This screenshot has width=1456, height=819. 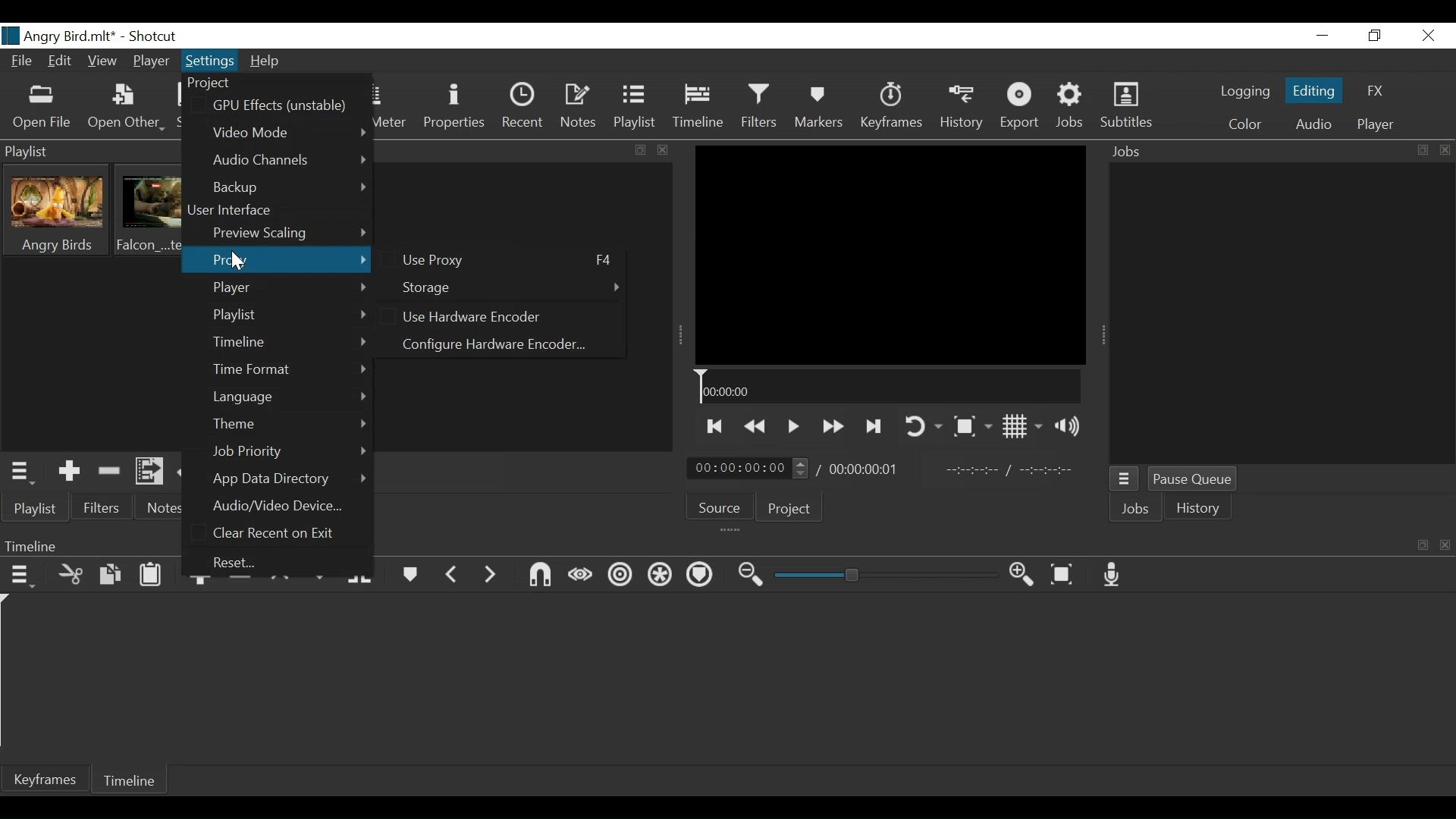 What do you see at coordinates (970, 426) in the screenshot?
I see `Toggle Zoom` at bounding box center [970, 426].